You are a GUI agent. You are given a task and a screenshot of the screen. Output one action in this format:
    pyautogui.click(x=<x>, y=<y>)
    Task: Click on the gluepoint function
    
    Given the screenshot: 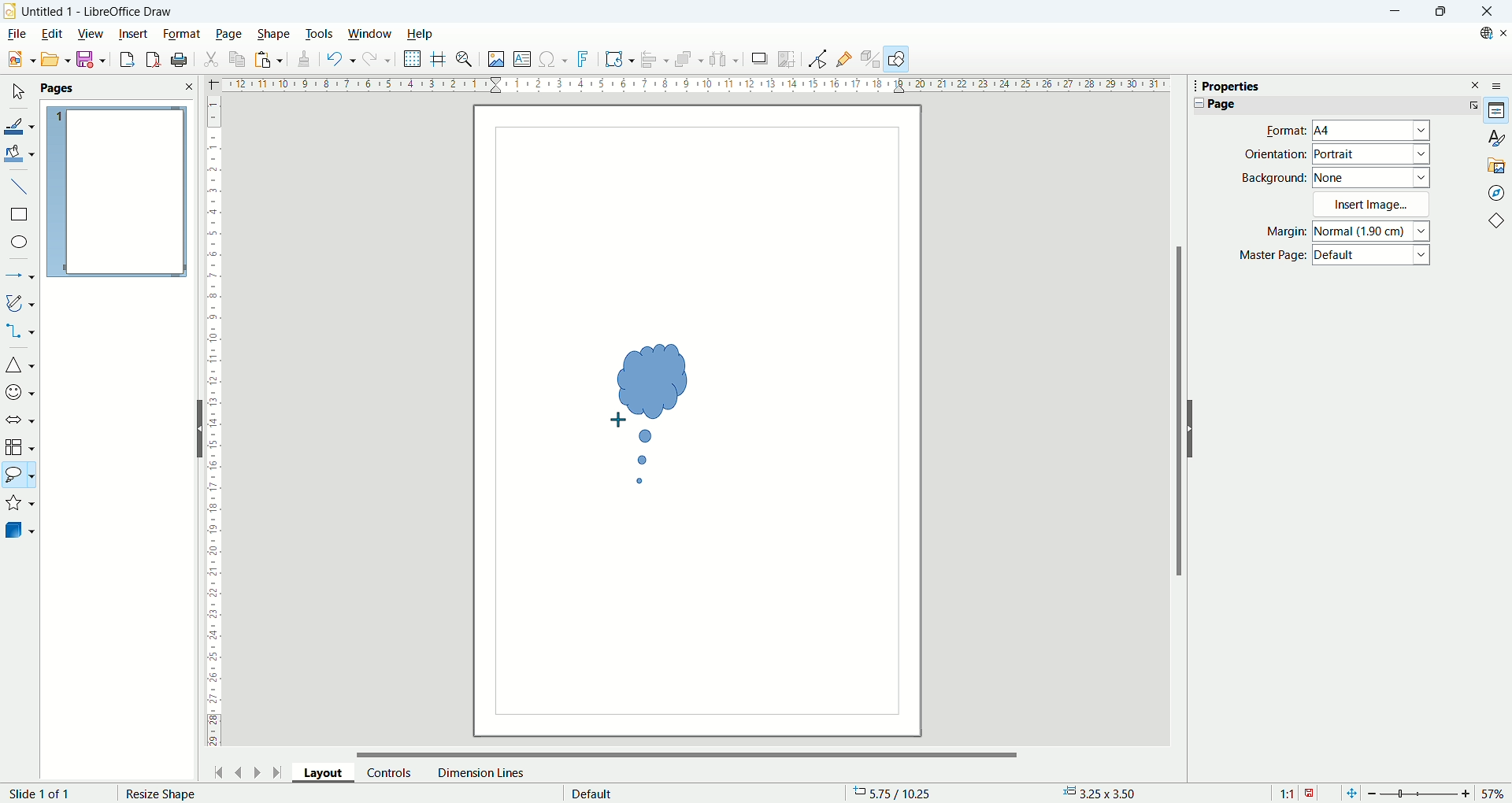 What is the action you would take?
    pyautogui.click(x=845, y=58)
    